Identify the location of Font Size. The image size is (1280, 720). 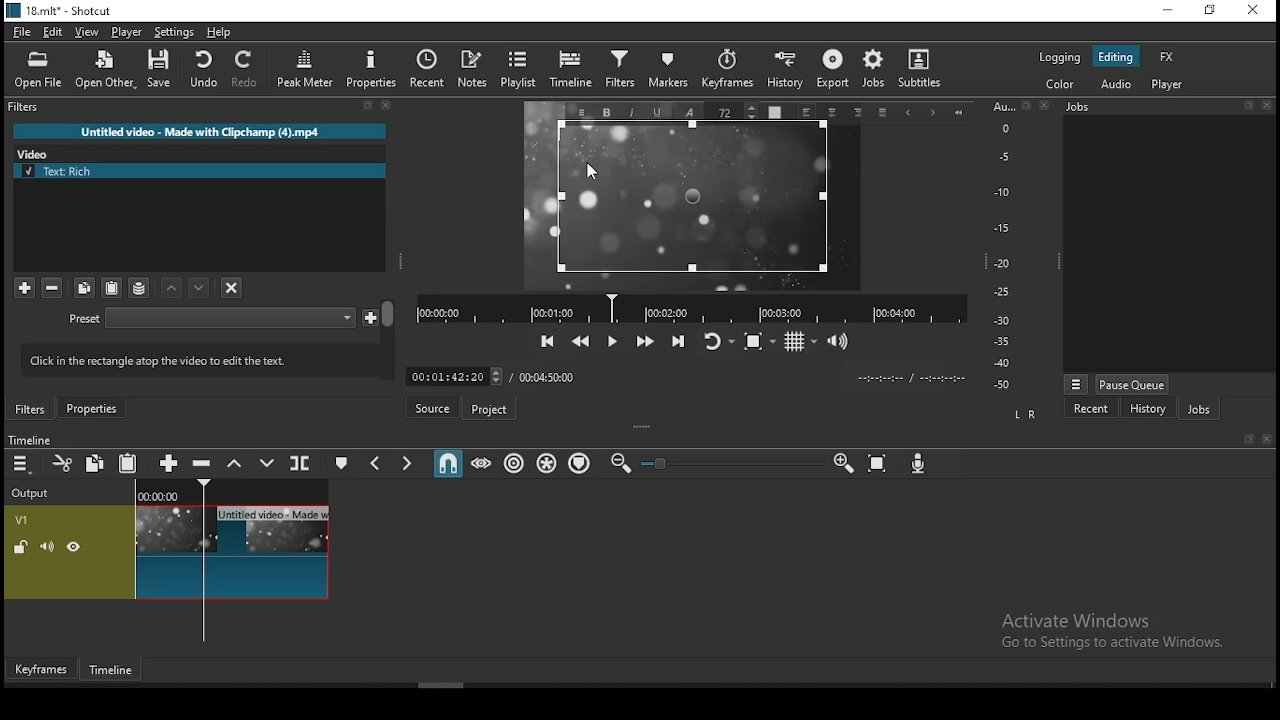
(734, 111).